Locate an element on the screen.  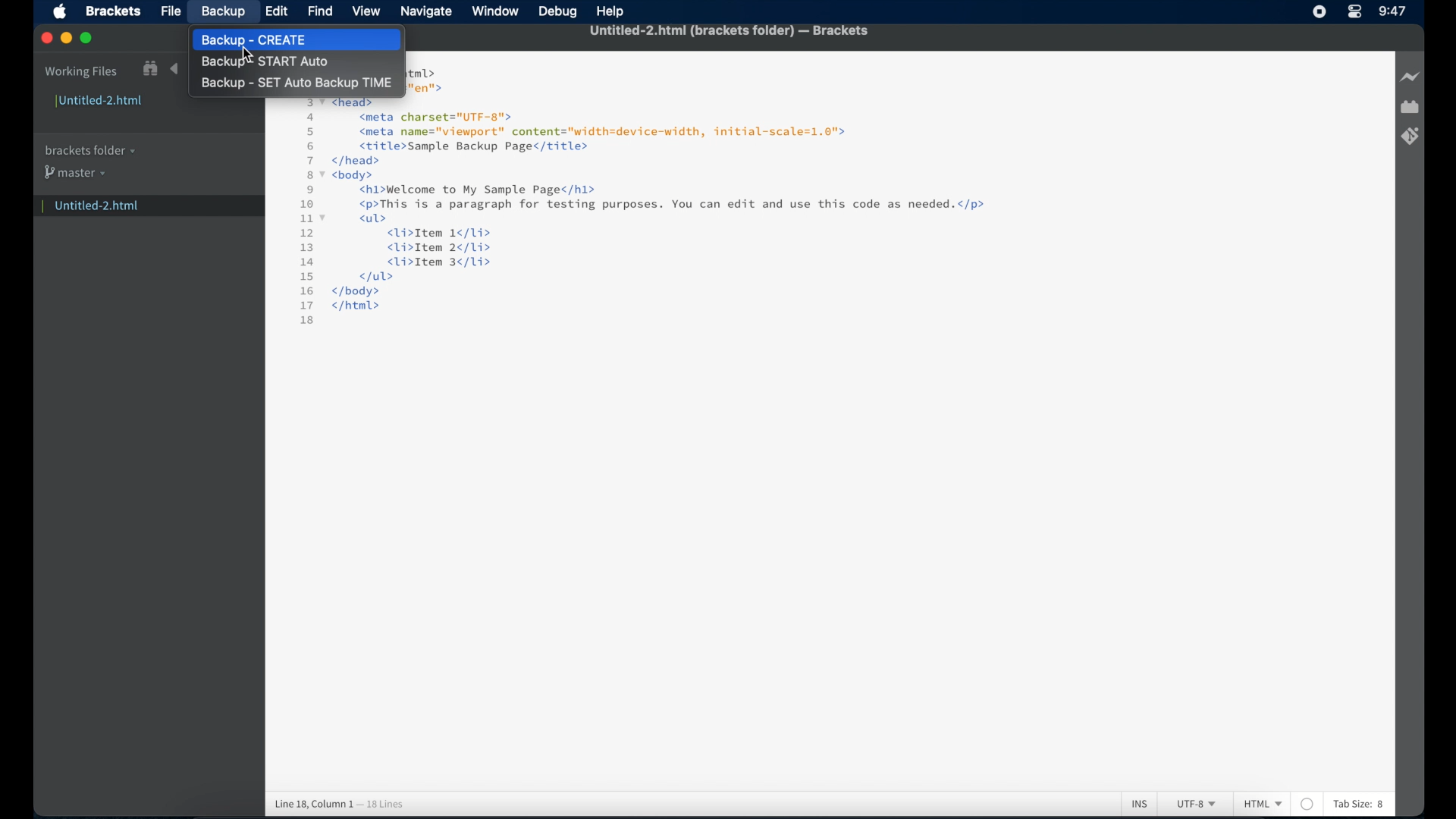
close is located at coordinates (46, 39).